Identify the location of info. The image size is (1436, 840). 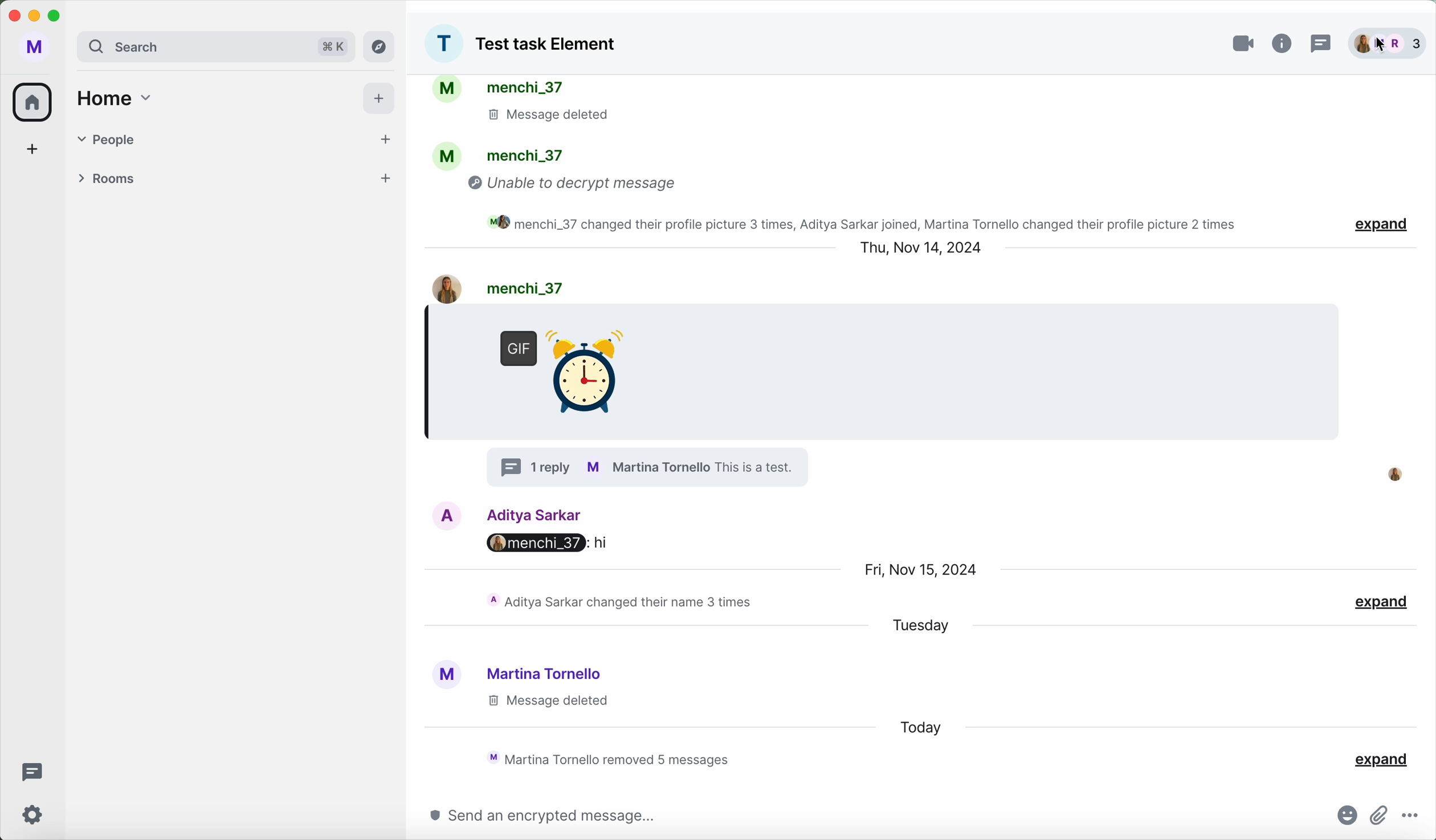
(1284, 43).